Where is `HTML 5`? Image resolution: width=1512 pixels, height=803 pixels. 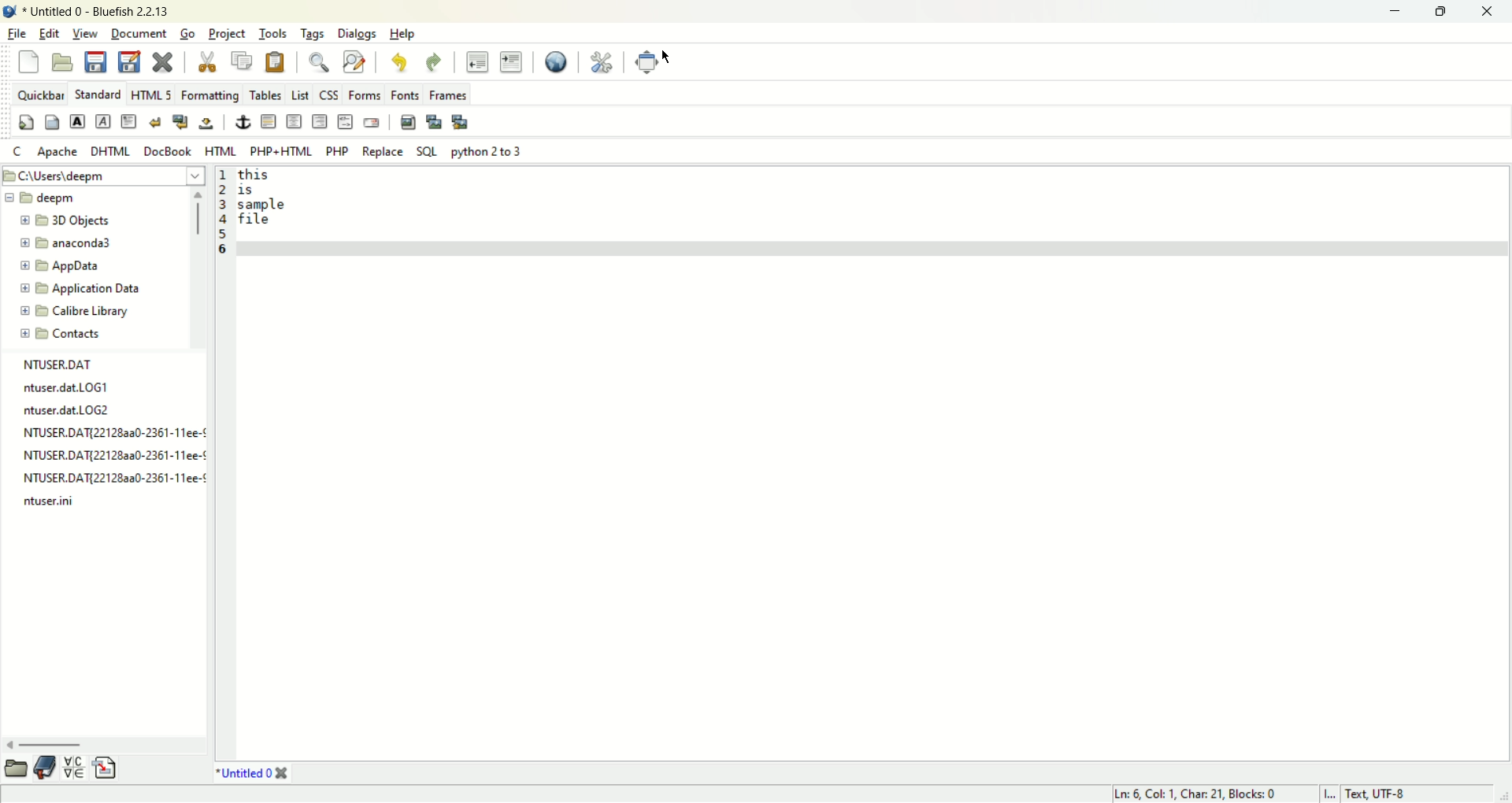 HTML 5 is located at coordinates (151, 94).